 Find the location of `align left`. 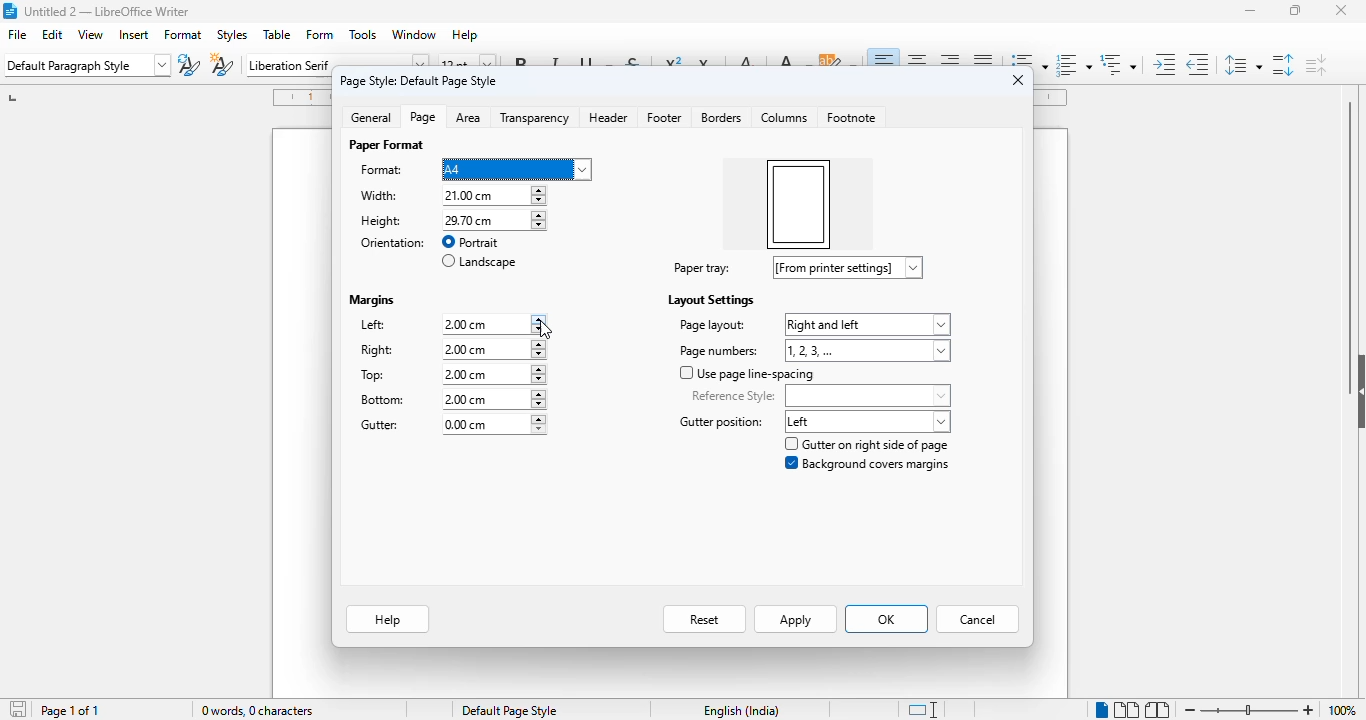

align left is located at coordinates (884, 59).